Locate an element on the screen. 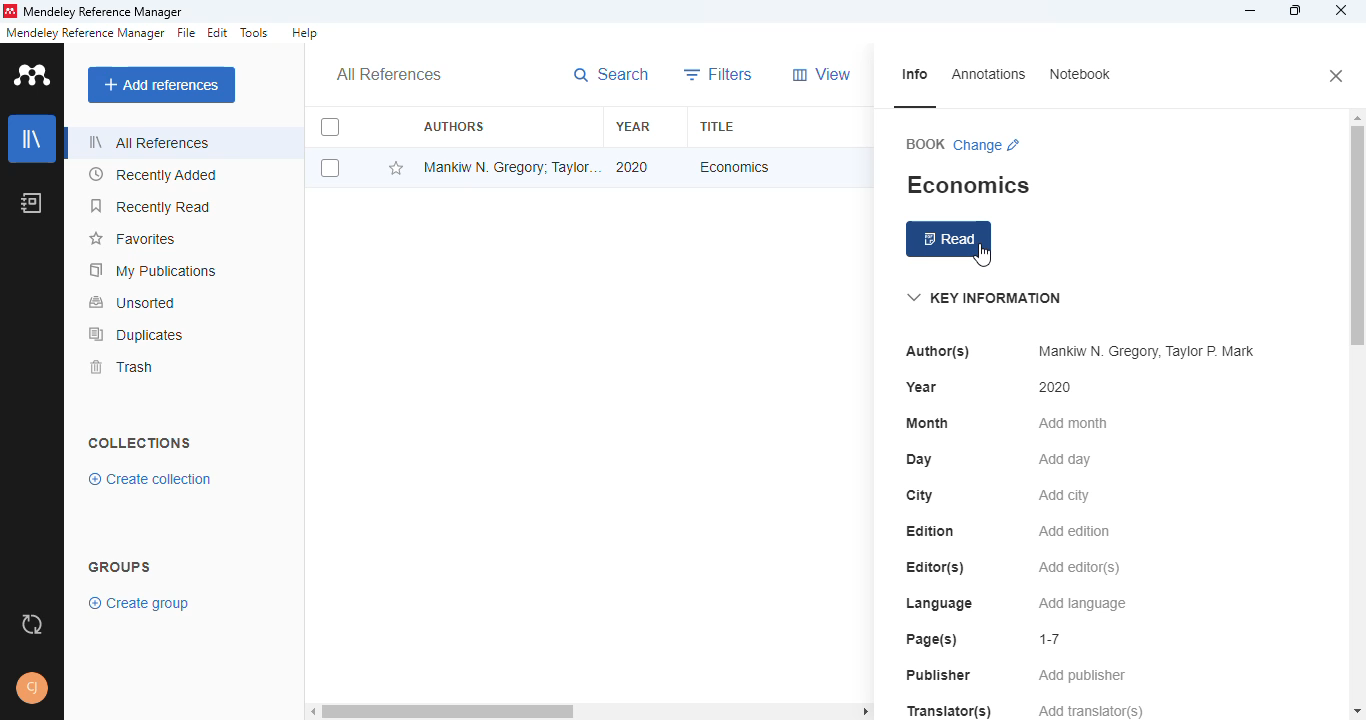 Image resolution: width=1366 pixels, height=720 pixels. add month is located at coordinates (1073, 423).